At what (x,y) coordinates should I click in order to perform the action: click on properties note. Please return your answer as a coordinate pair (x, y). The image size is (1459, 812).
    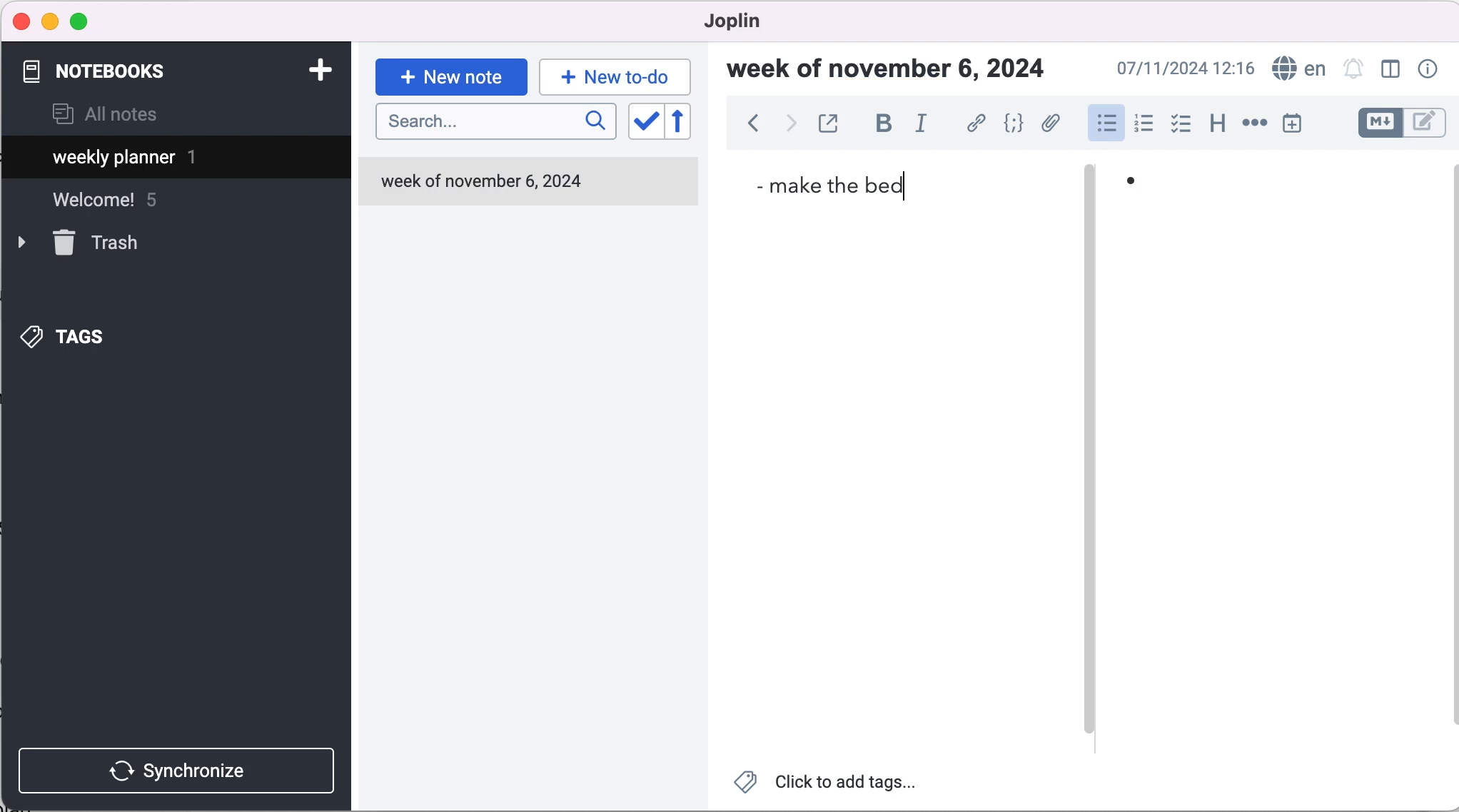
    Looking at the image, I should click on (1430, 68).